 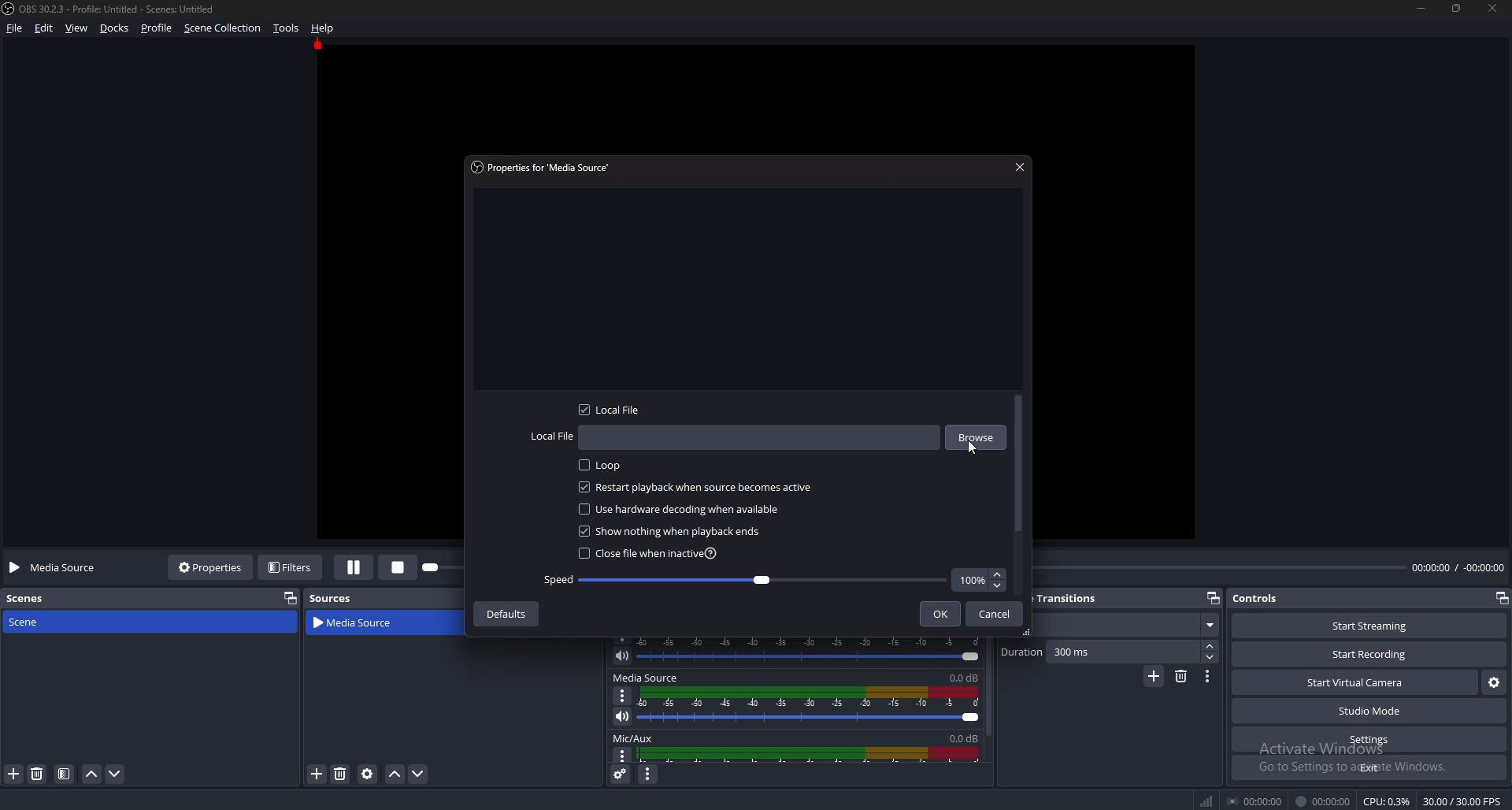 What do you see at coordinates (223, 28) in the screenshot?
I see `Scene collection` at bounding box center [223, 28].